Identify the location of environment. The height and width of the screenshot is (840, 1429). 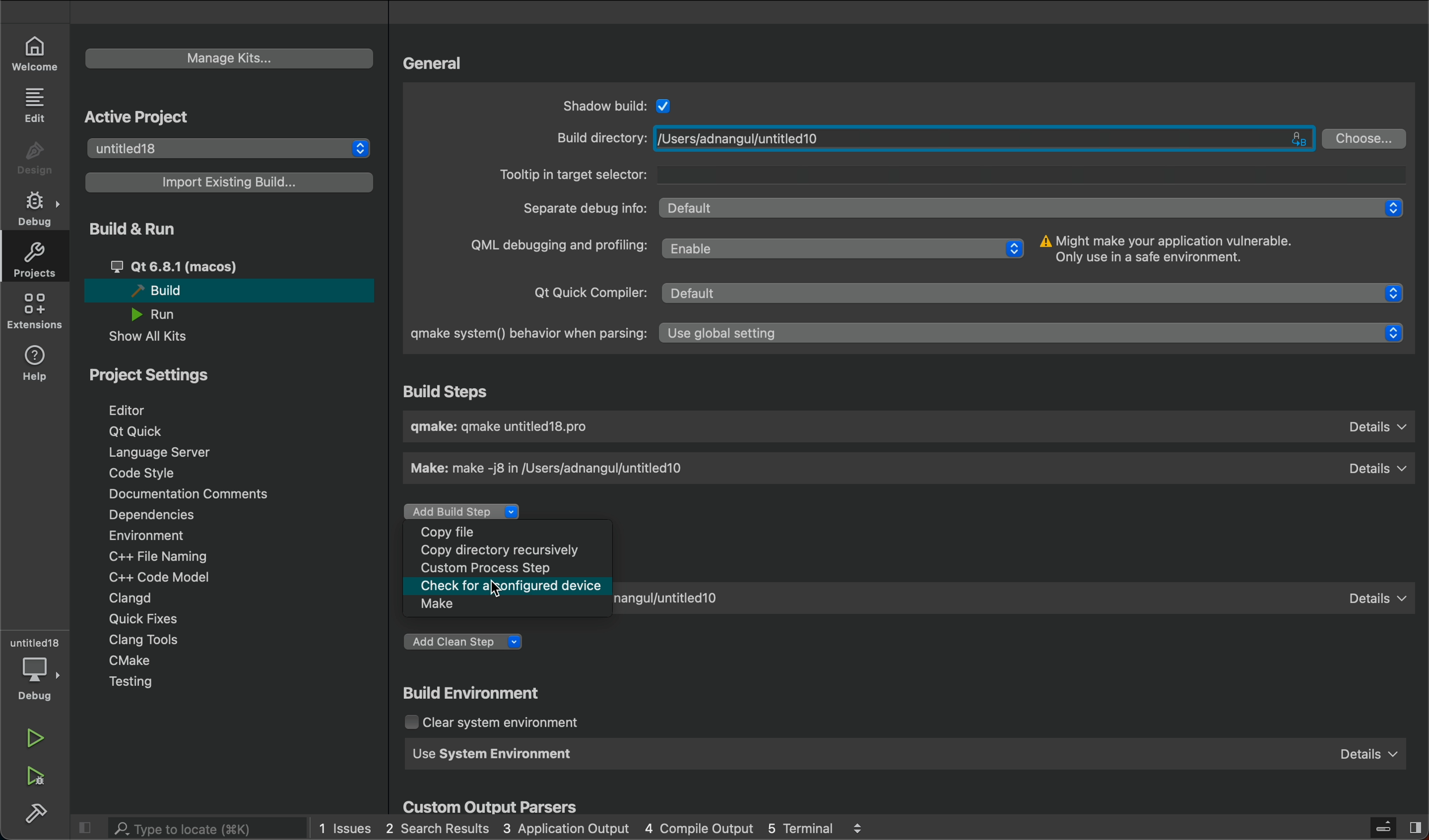
(141, 537).